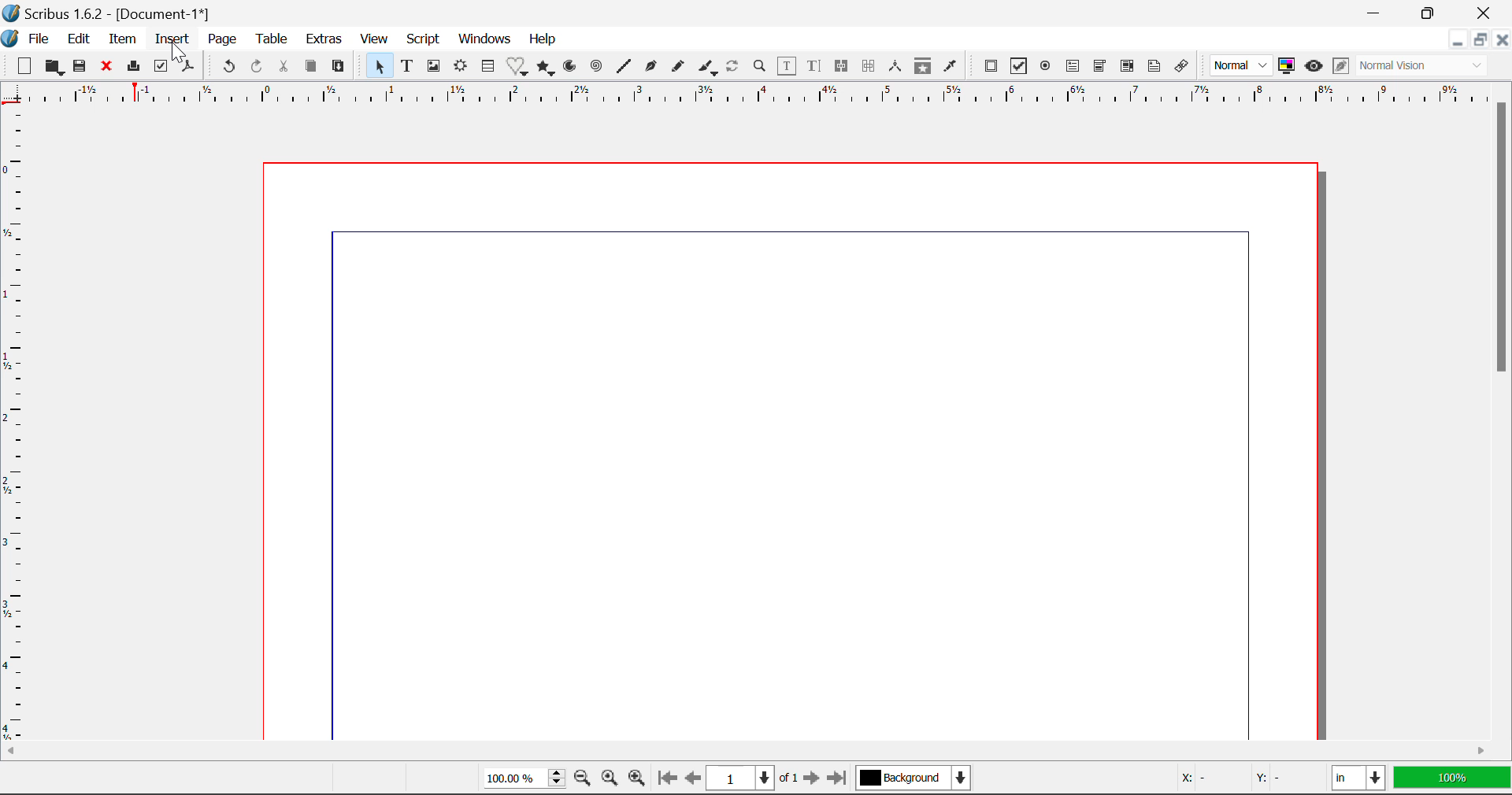  What do you see at coordinates (136, 67) in the screenshot?
I see `Print` at bounding box center [136, 67].